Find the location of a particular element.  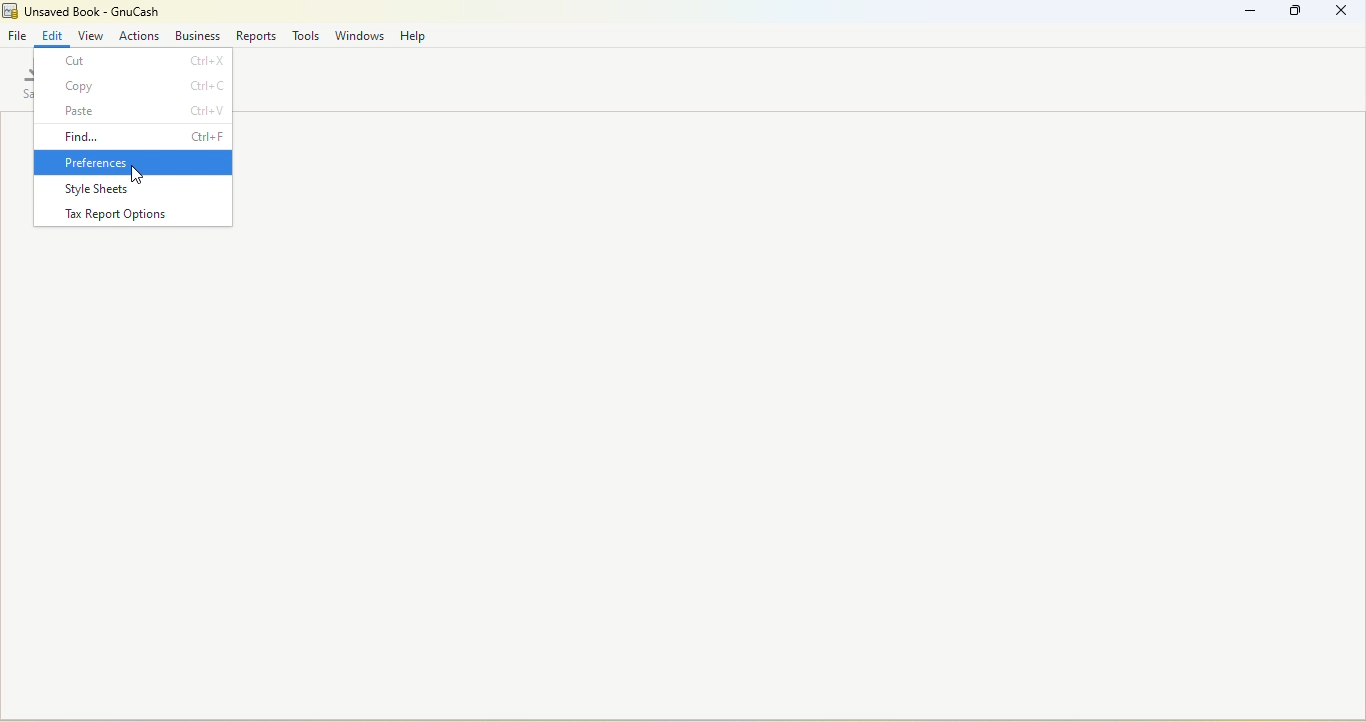

Actions is located at coordinates (139, 34).